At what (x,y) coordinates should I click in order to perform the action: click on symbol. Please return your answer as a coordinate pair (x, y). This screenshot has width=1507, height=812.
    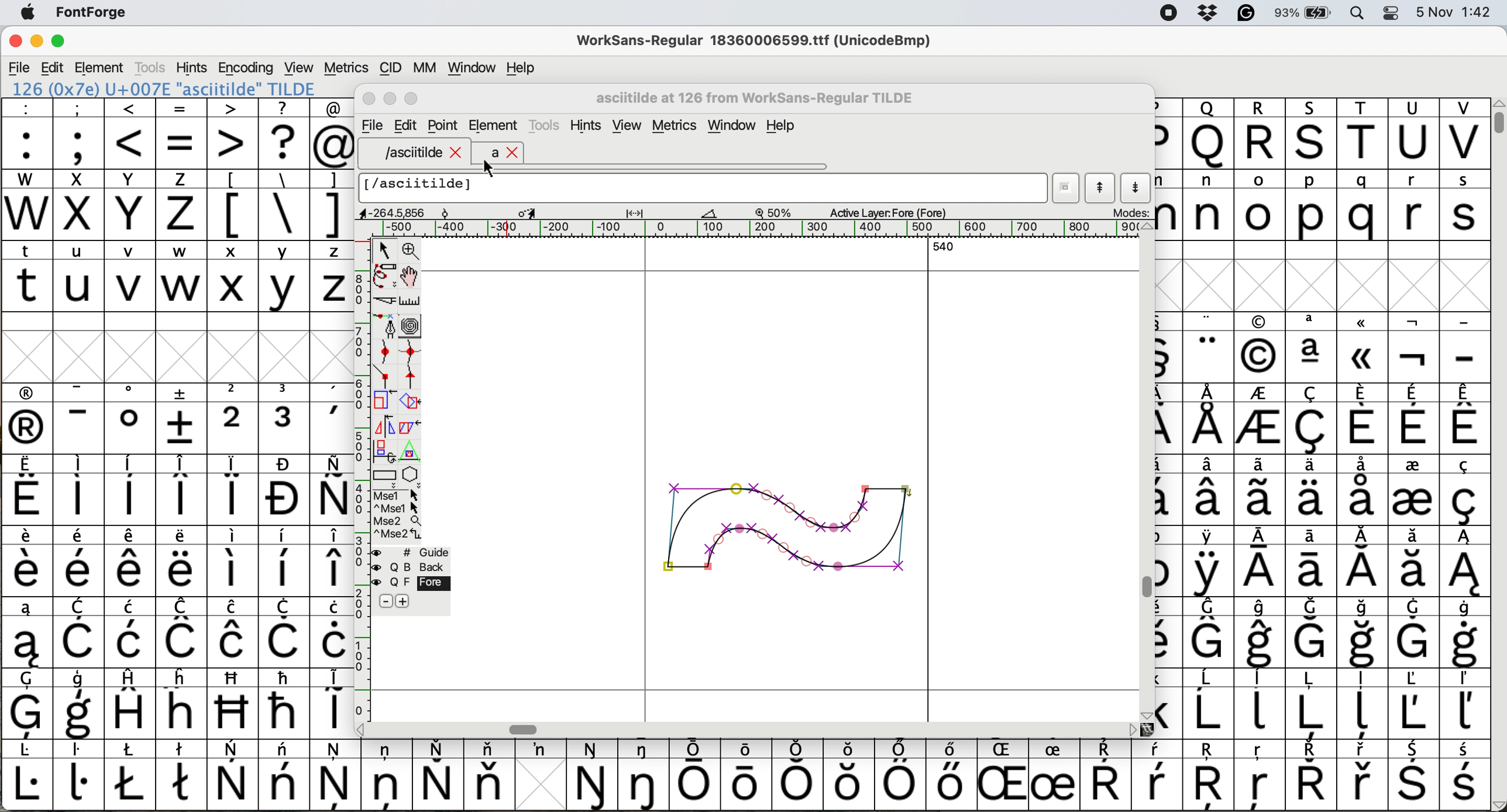
    Looking at the image, I should click on (1310, 775).